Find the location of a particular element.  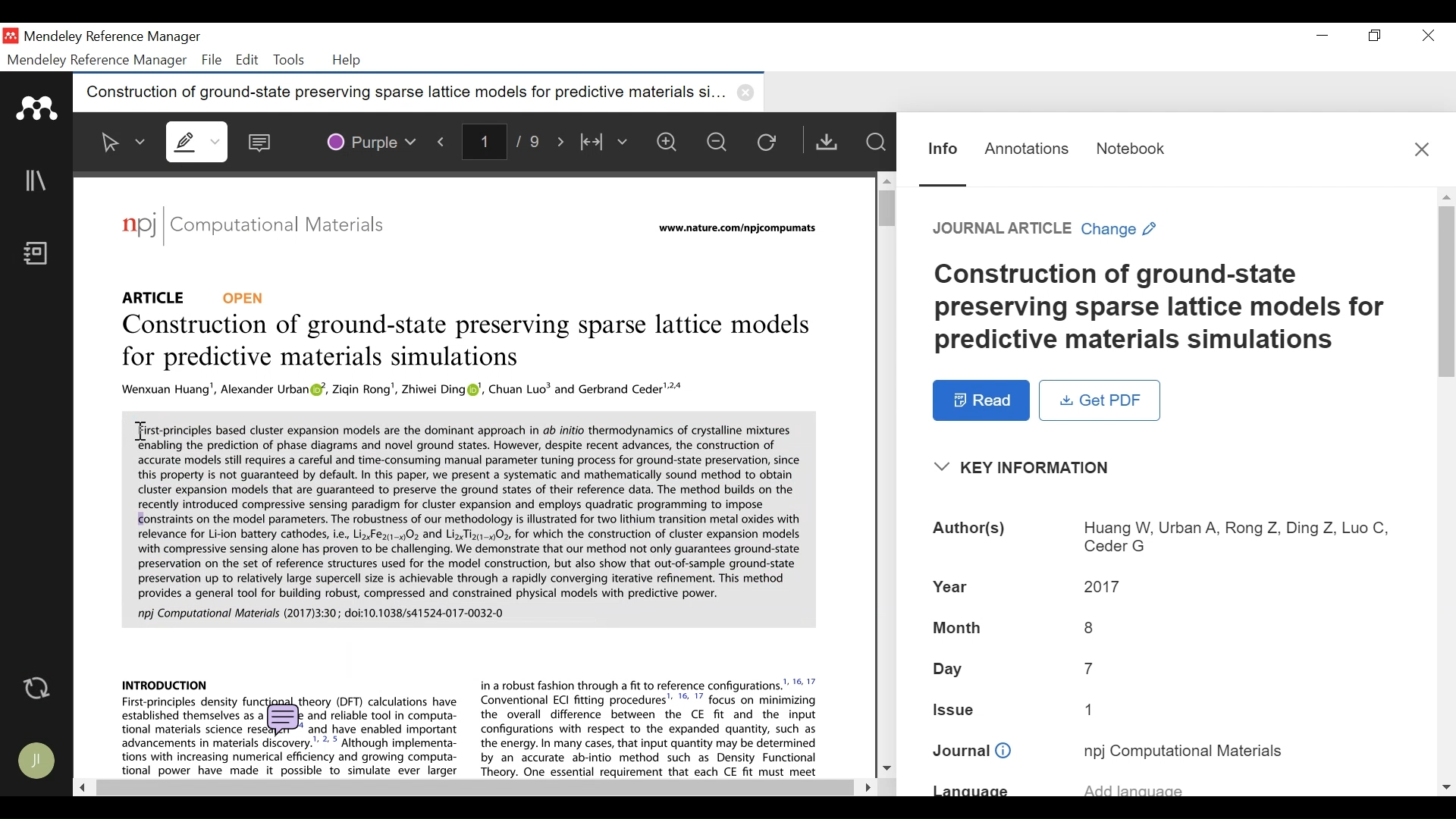

Mendeley Reference Manager is located at coordinates (98, 61).